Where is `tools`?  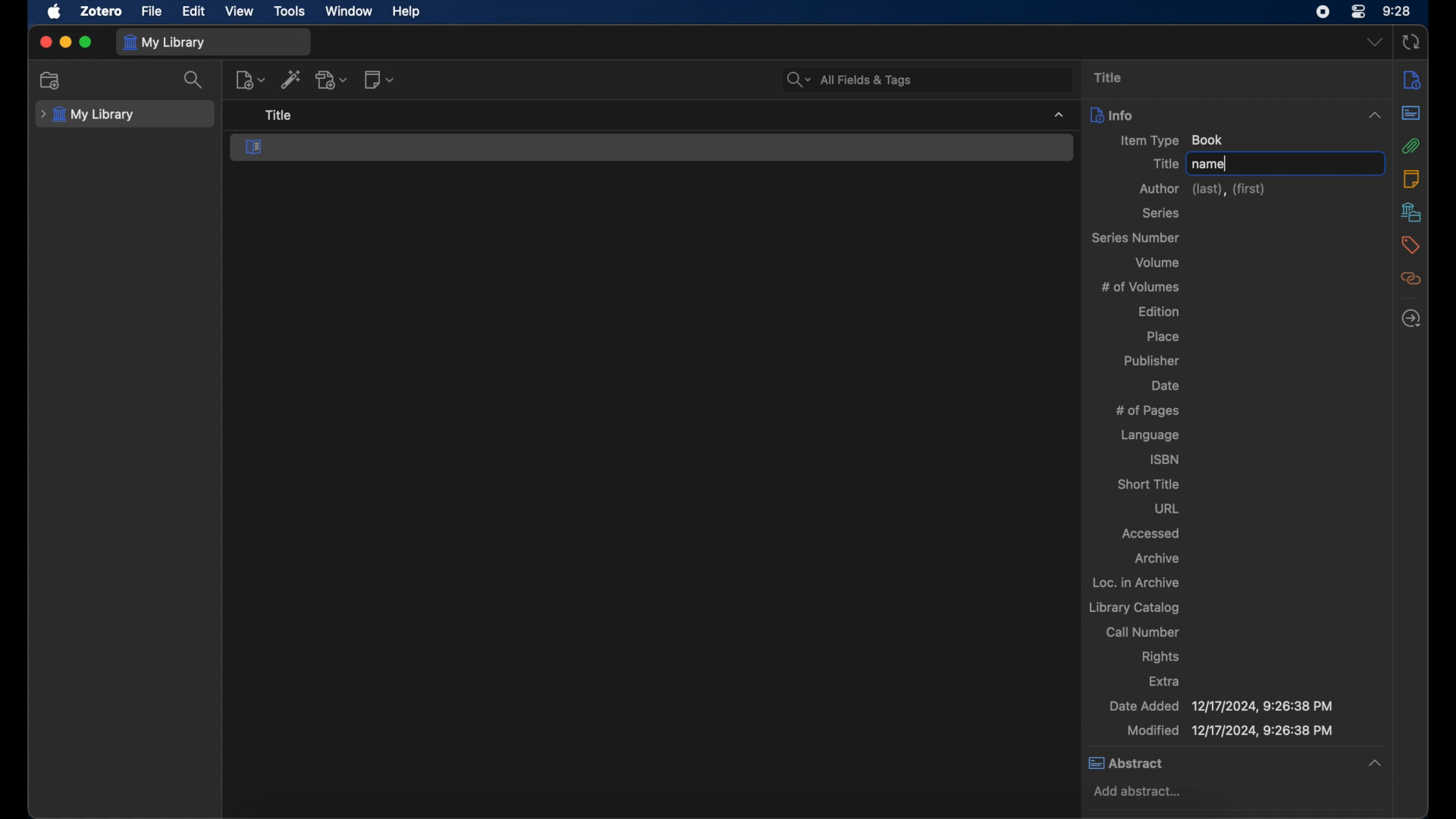
tools is located at coordinates (290, 11).